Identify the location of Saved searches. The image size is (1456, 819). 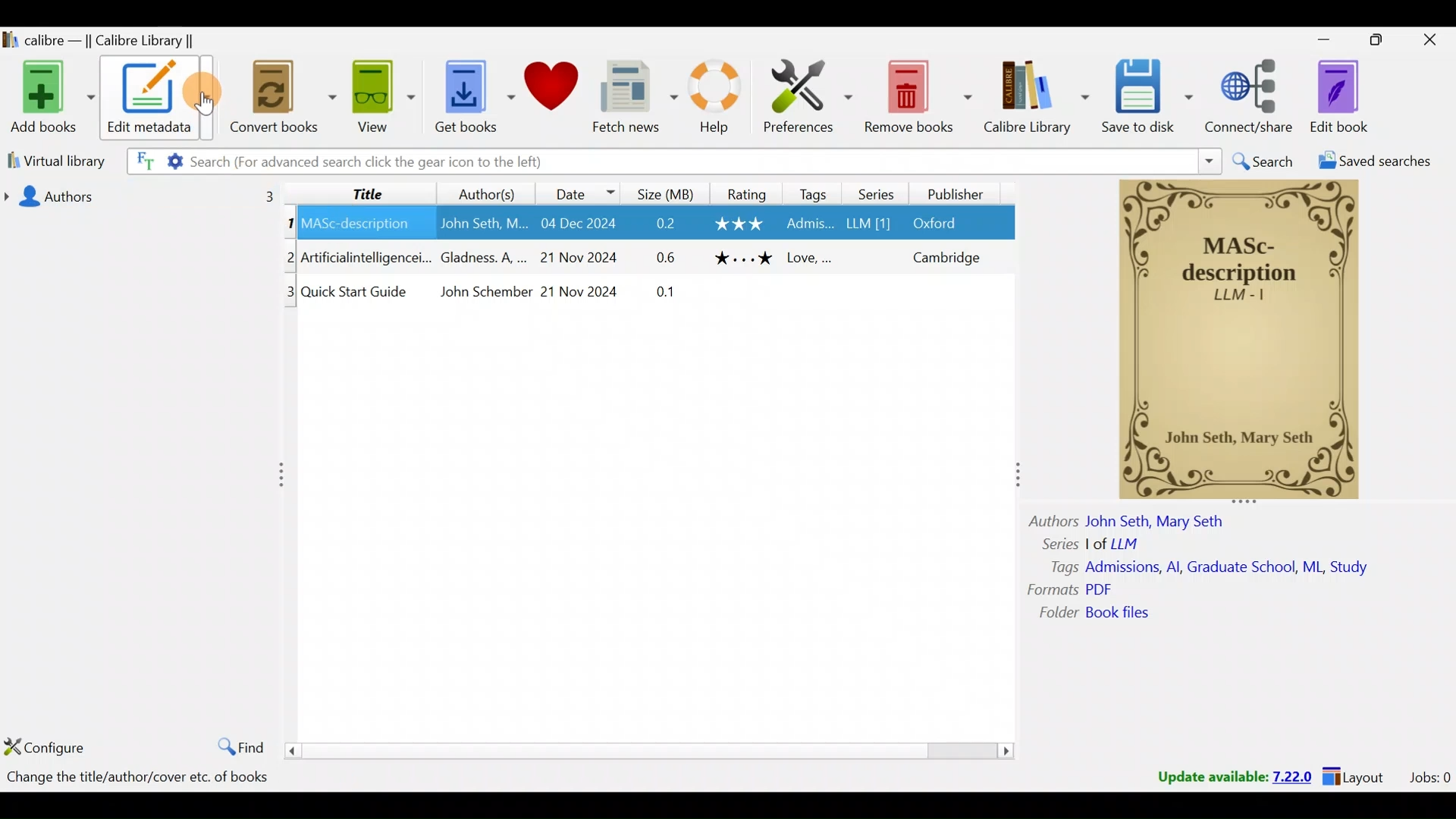
(1367, 158).